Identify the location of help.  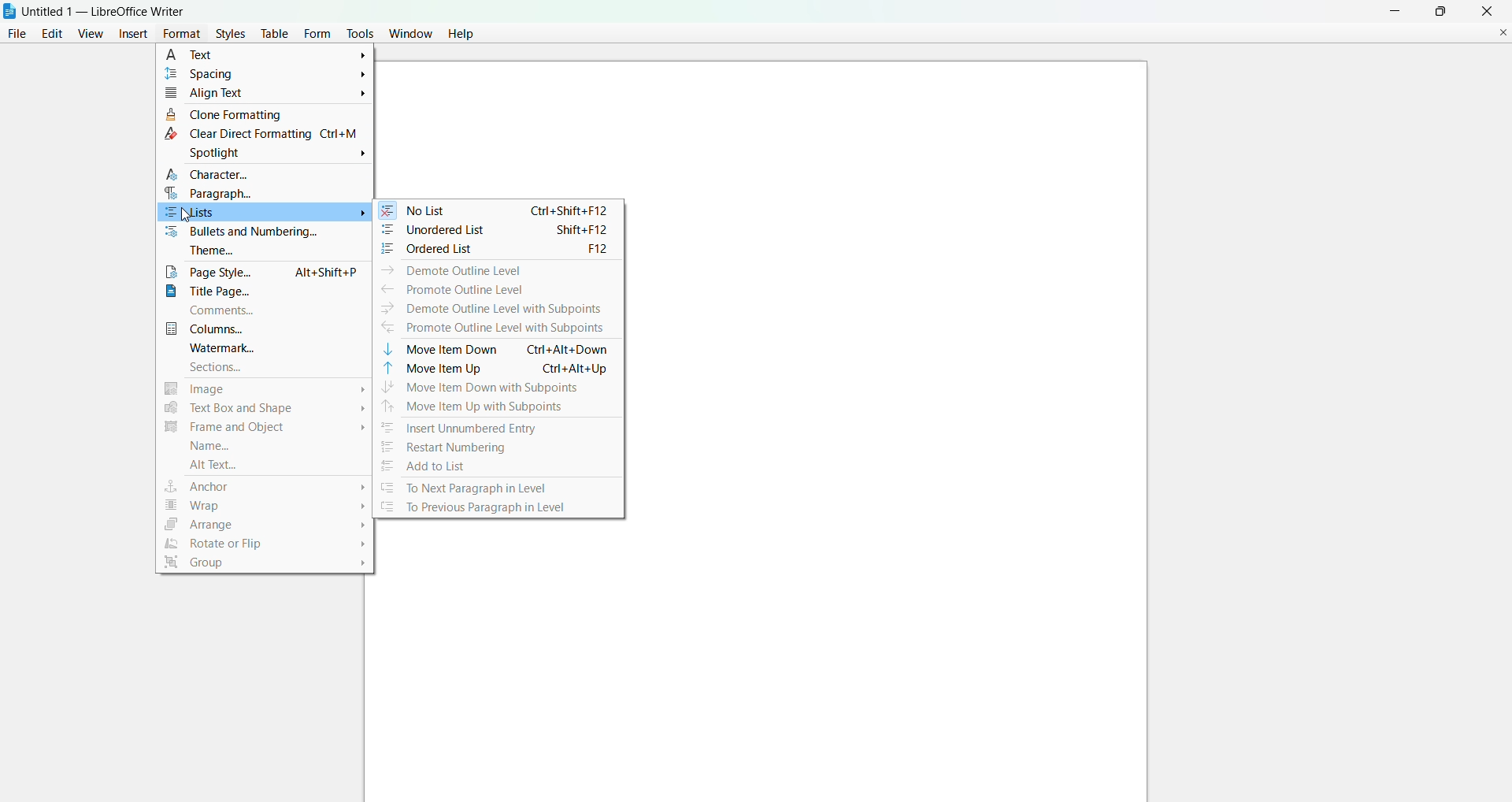
(461, 33).